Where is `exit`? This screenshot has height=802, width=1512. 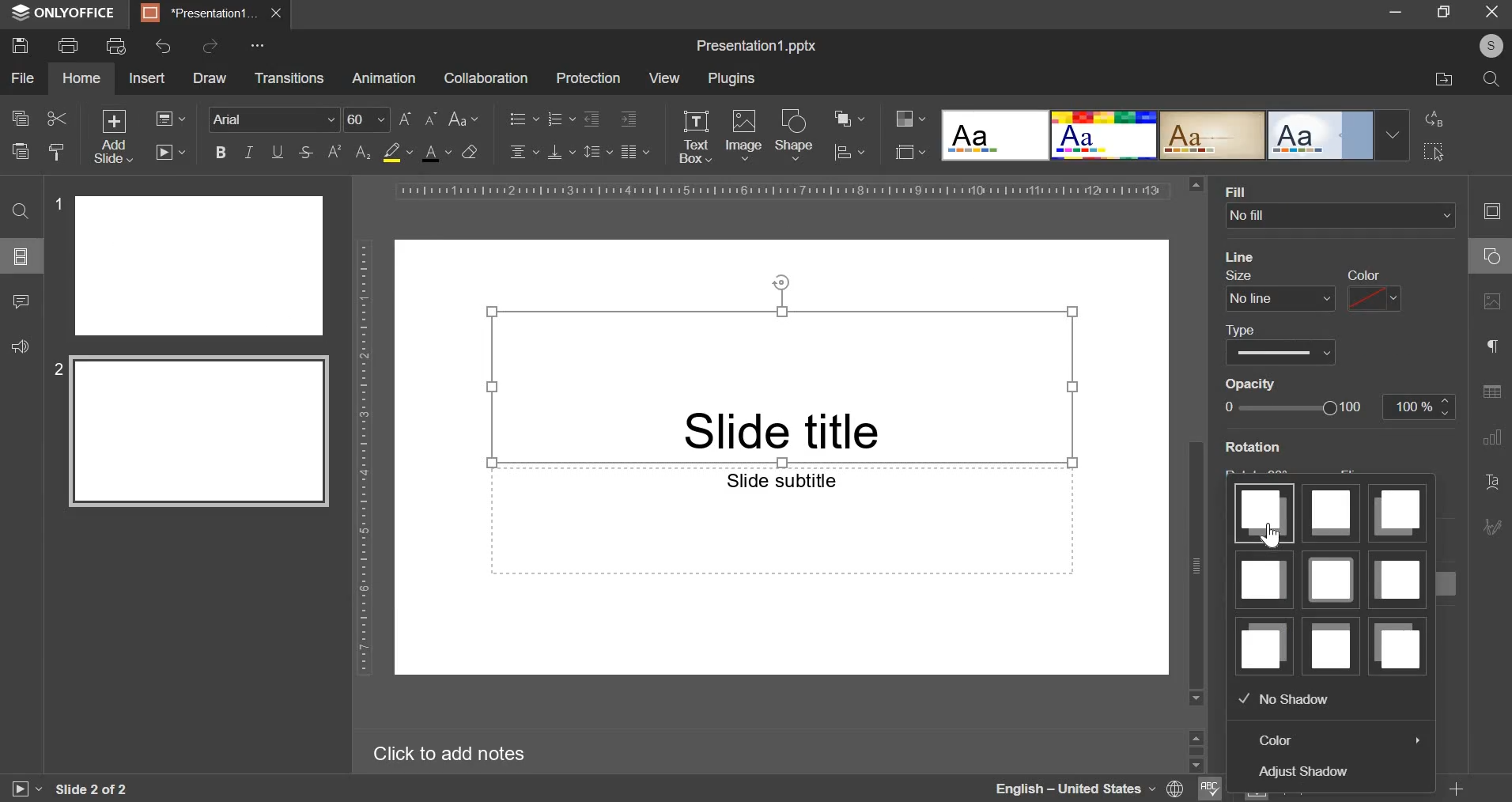 exit is located at coordinates (1493, 10).